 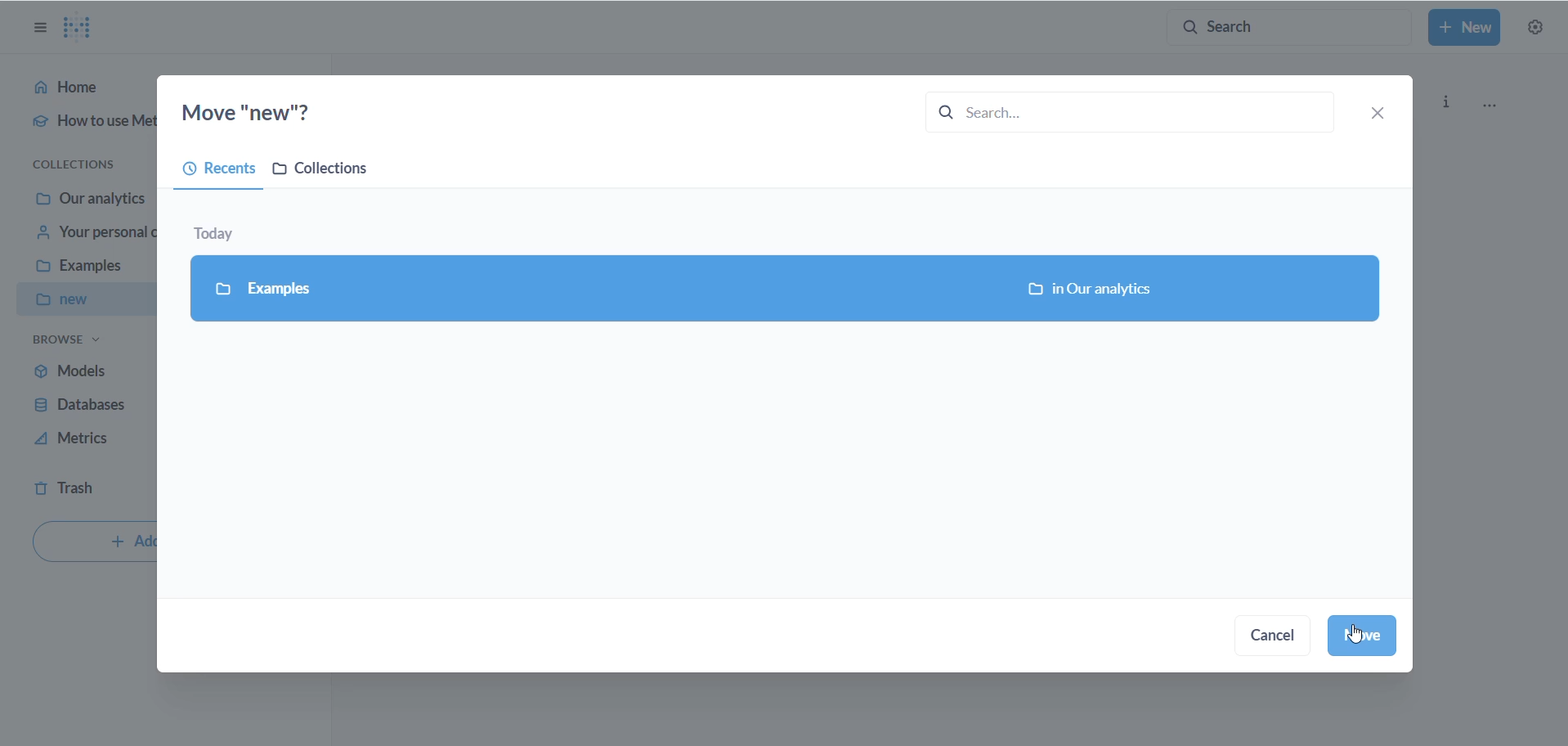 I want to click on add database, so click(x=92, y=544).